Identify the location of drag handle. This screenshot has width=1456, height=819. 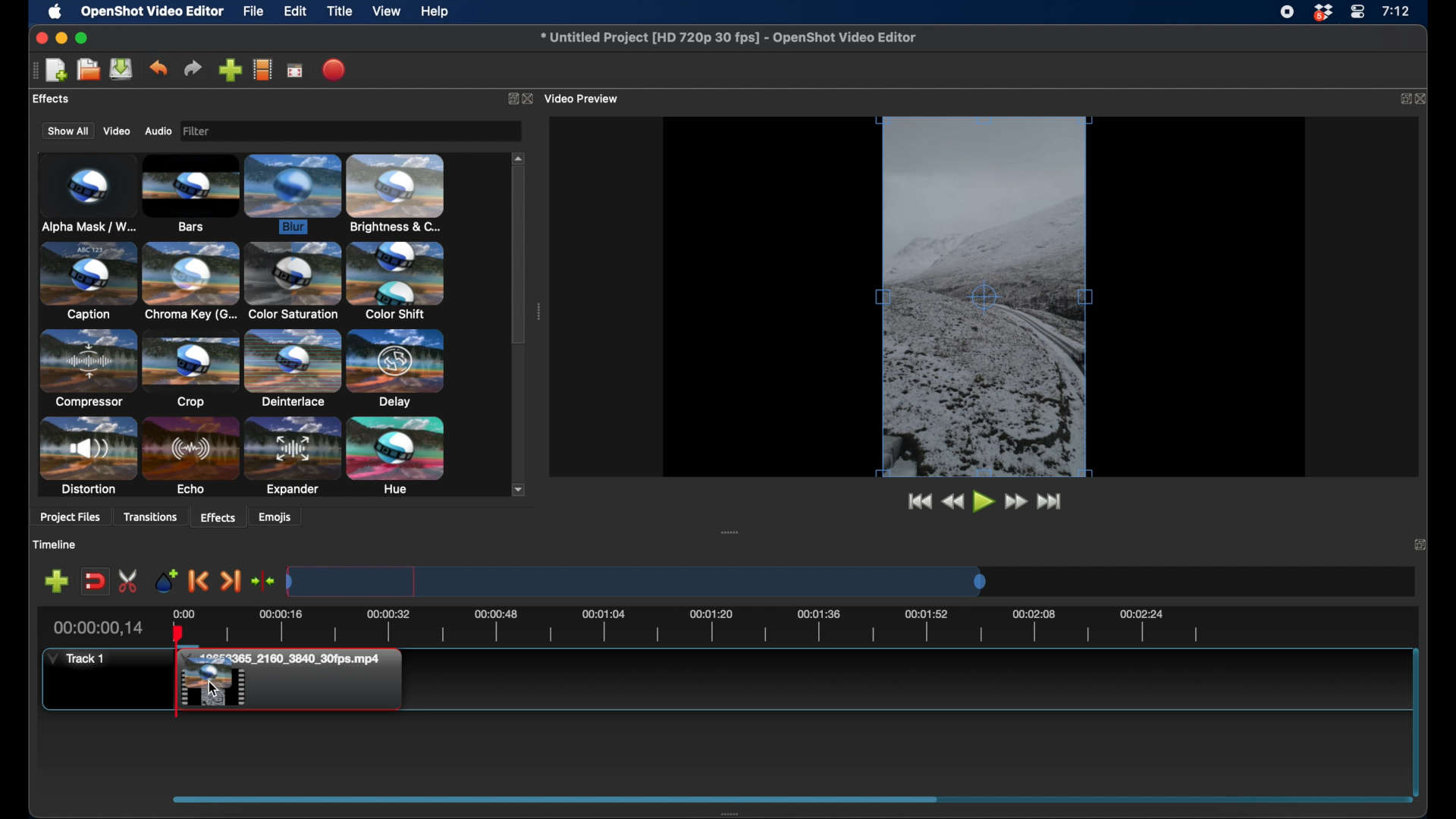
(538, 312).